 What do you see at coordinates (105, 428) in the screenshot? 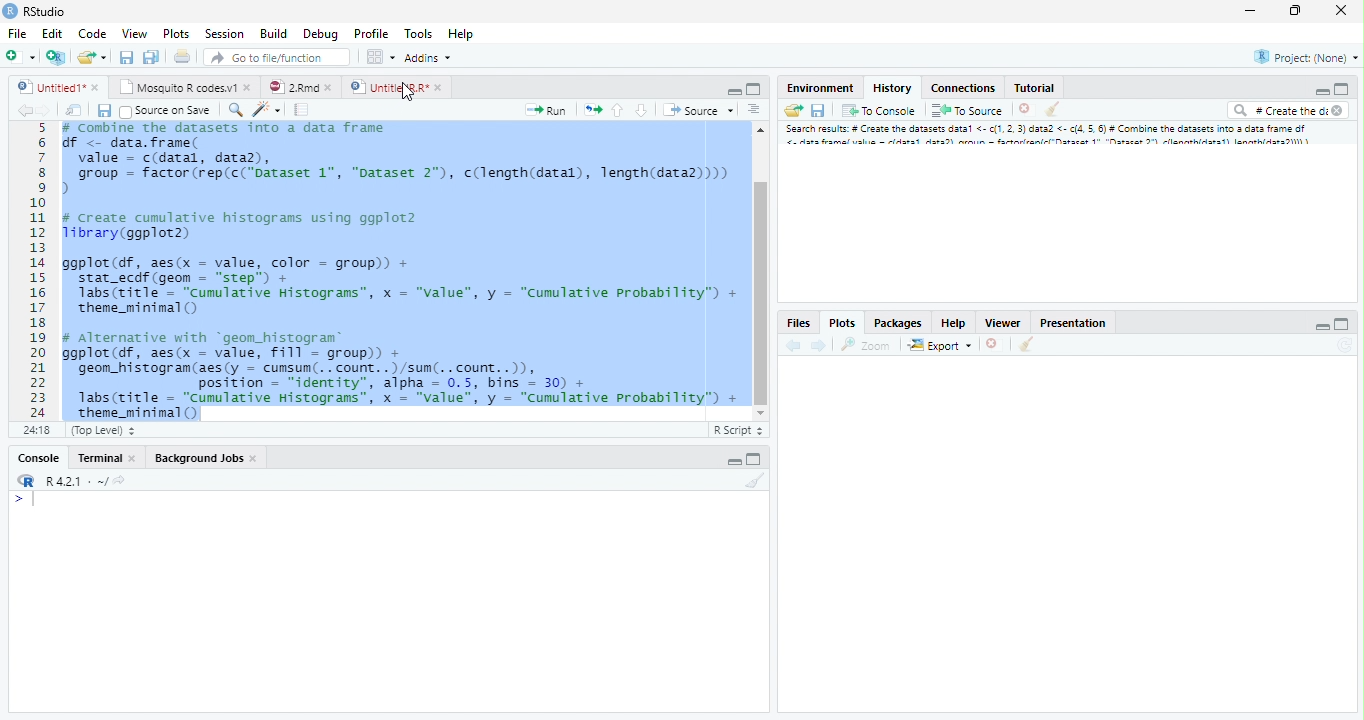
I see `Top level` at bounding box center [105, 428].